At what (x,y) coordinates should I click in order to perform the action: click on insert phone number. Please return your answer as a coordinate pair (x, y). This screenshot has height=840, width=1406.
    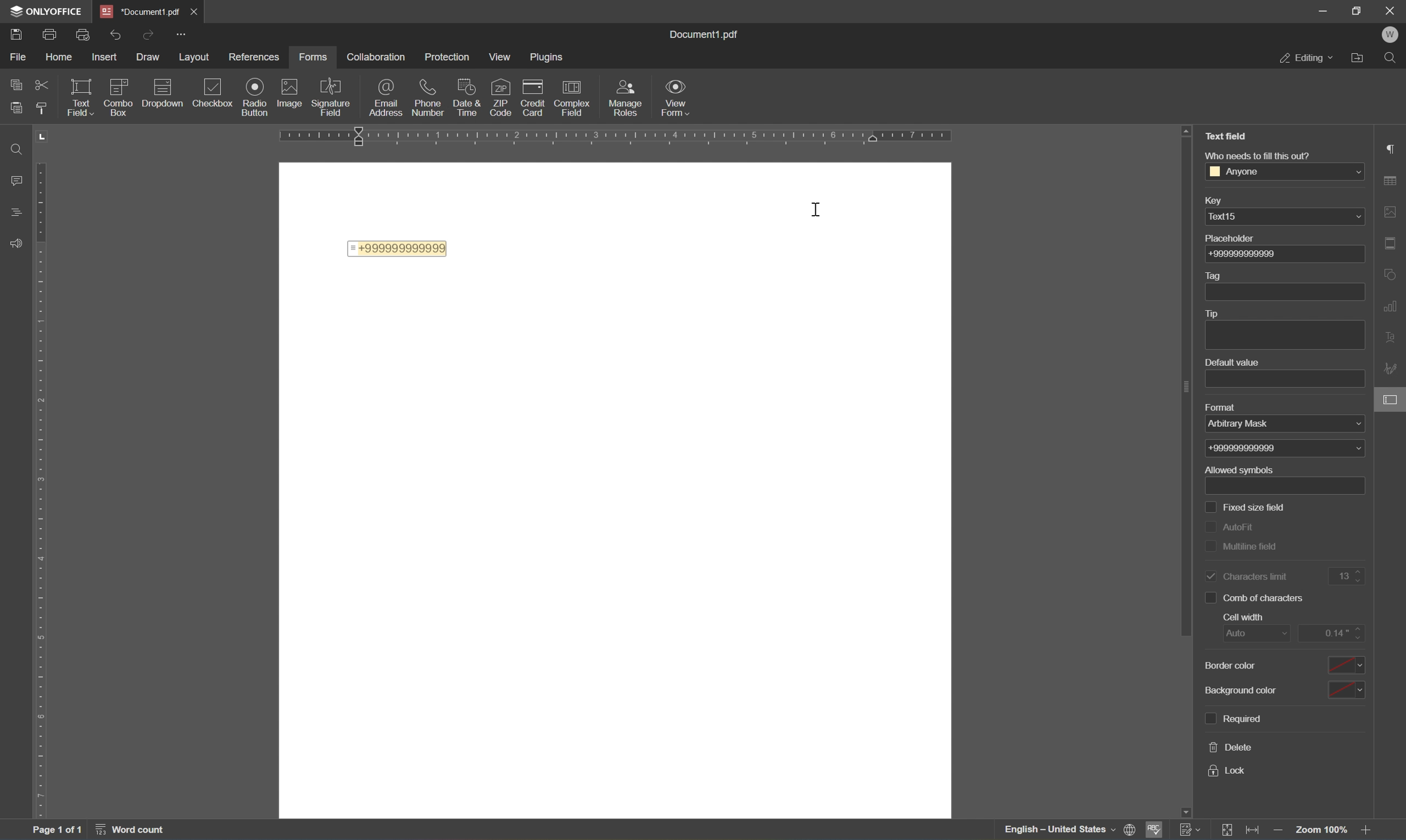
    Looking at the image, I should click on (498, 114).